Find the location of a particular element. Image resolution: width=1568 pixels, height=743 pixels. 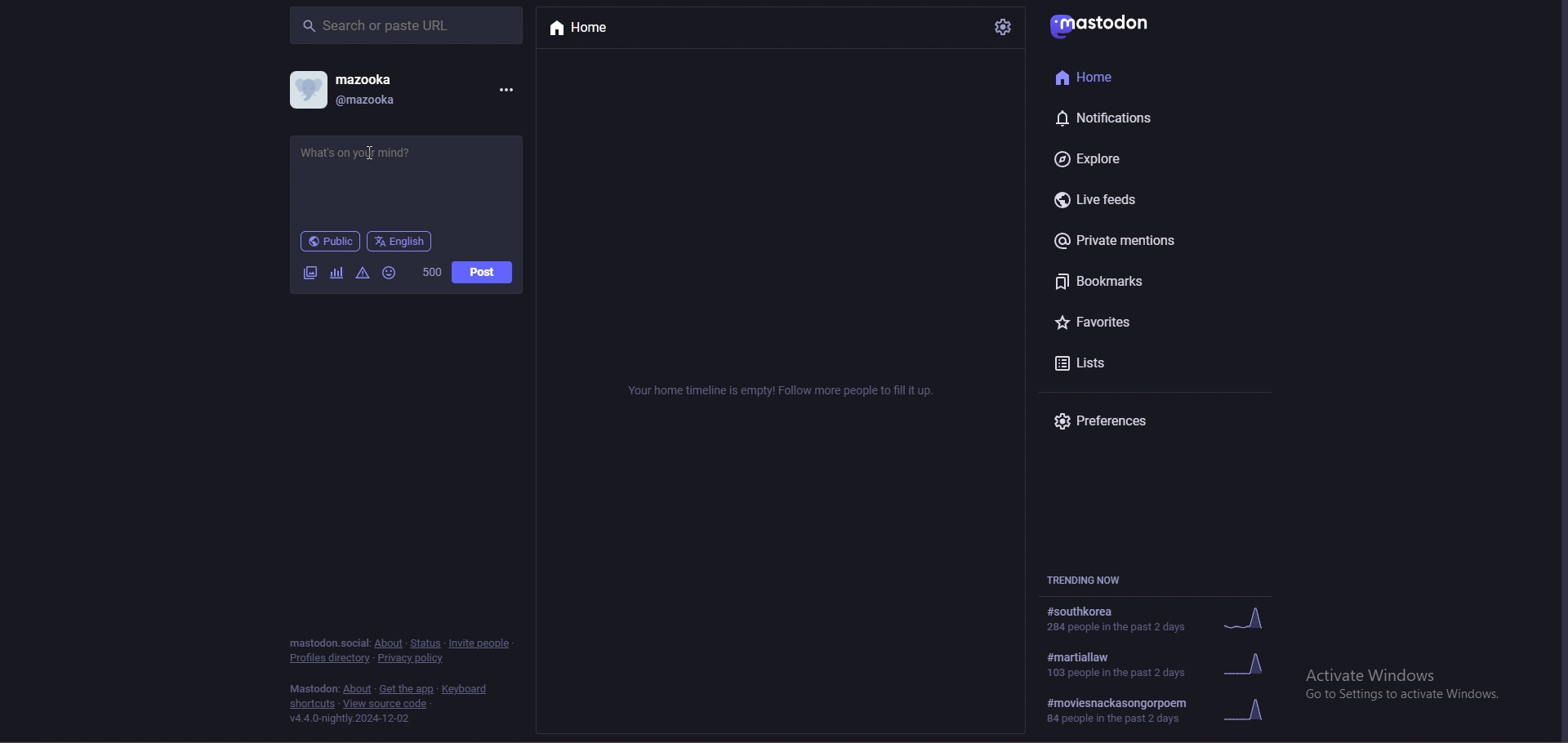

heat add the is located at coordinates (406, 689).